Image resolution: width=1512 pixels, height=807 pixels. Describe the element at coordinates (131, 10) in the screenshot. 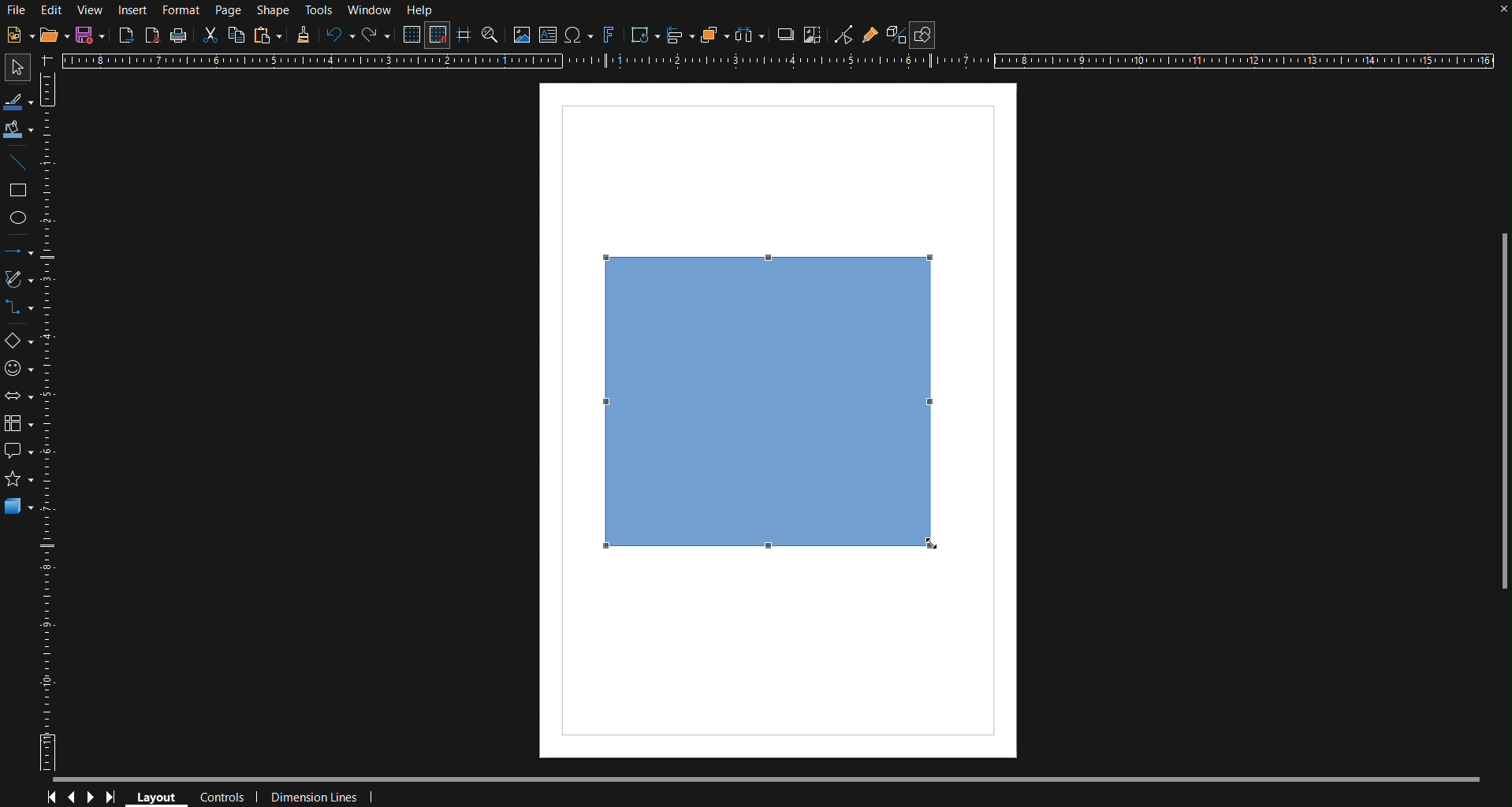

I see `Insert` at that location.